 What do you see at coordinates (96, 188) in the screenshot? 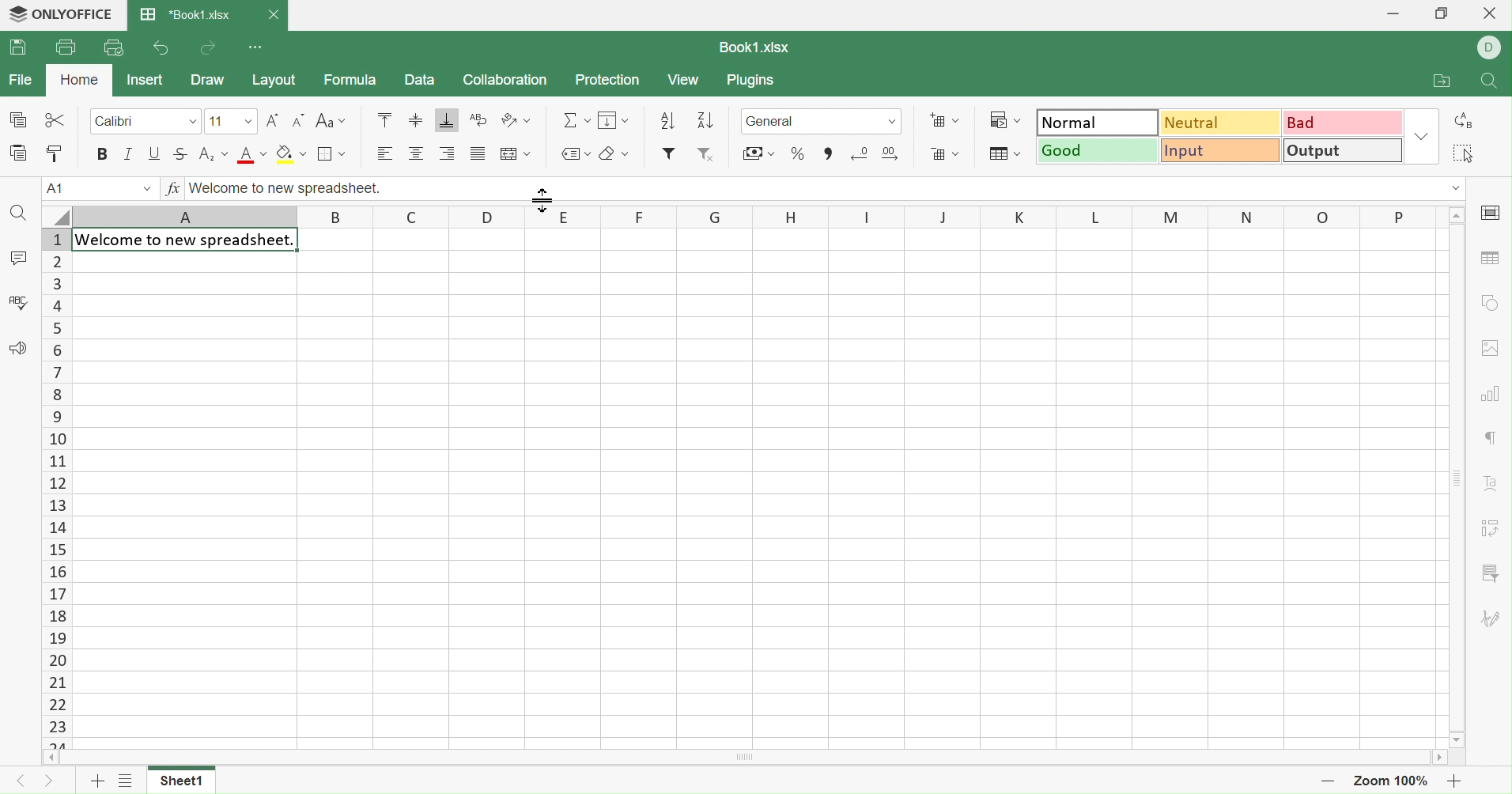
I see `A1` at bounding box center [96, 188].